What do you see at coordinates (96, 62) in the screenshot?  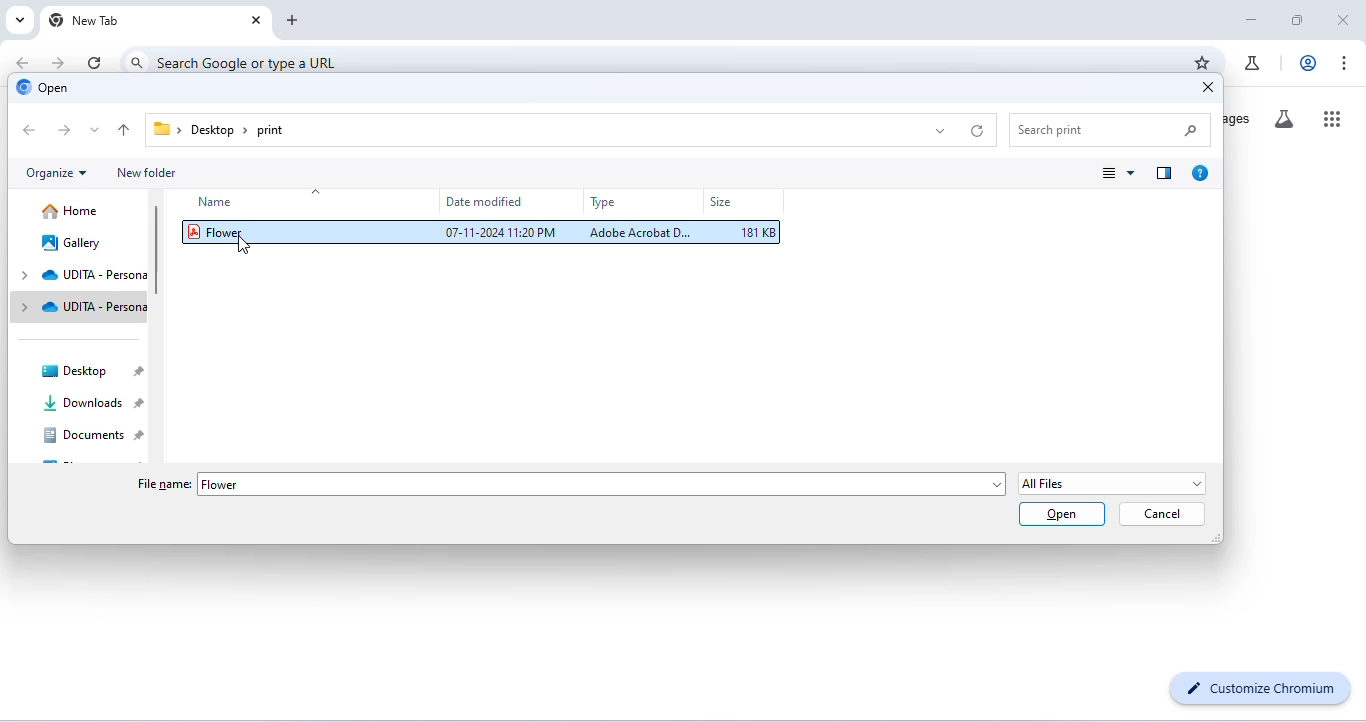 I see `refresh` at bounding box center [96, 62].